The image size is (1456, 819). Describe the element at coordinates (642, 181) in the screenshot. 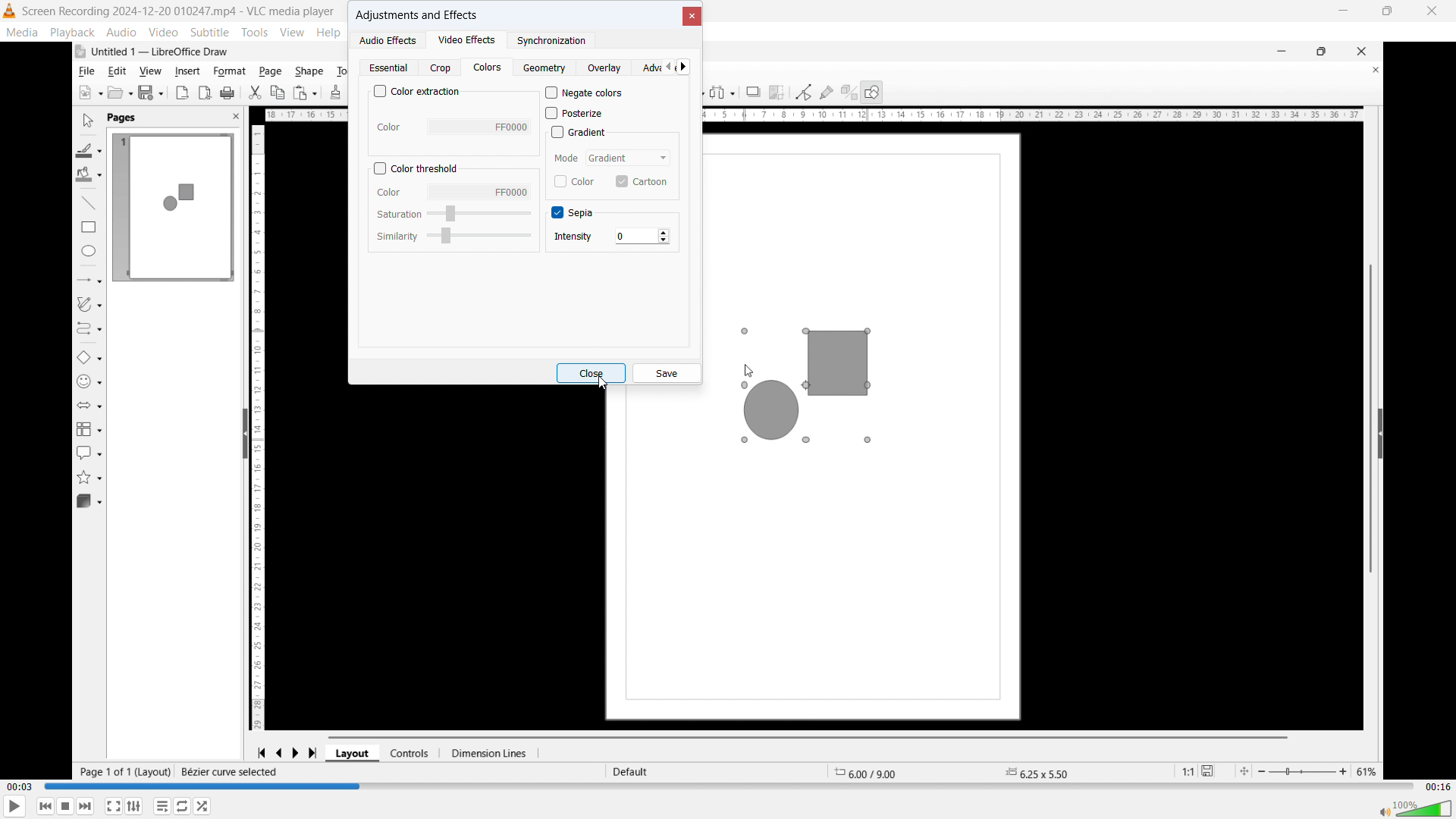

I see `Cartoon ` at that location.